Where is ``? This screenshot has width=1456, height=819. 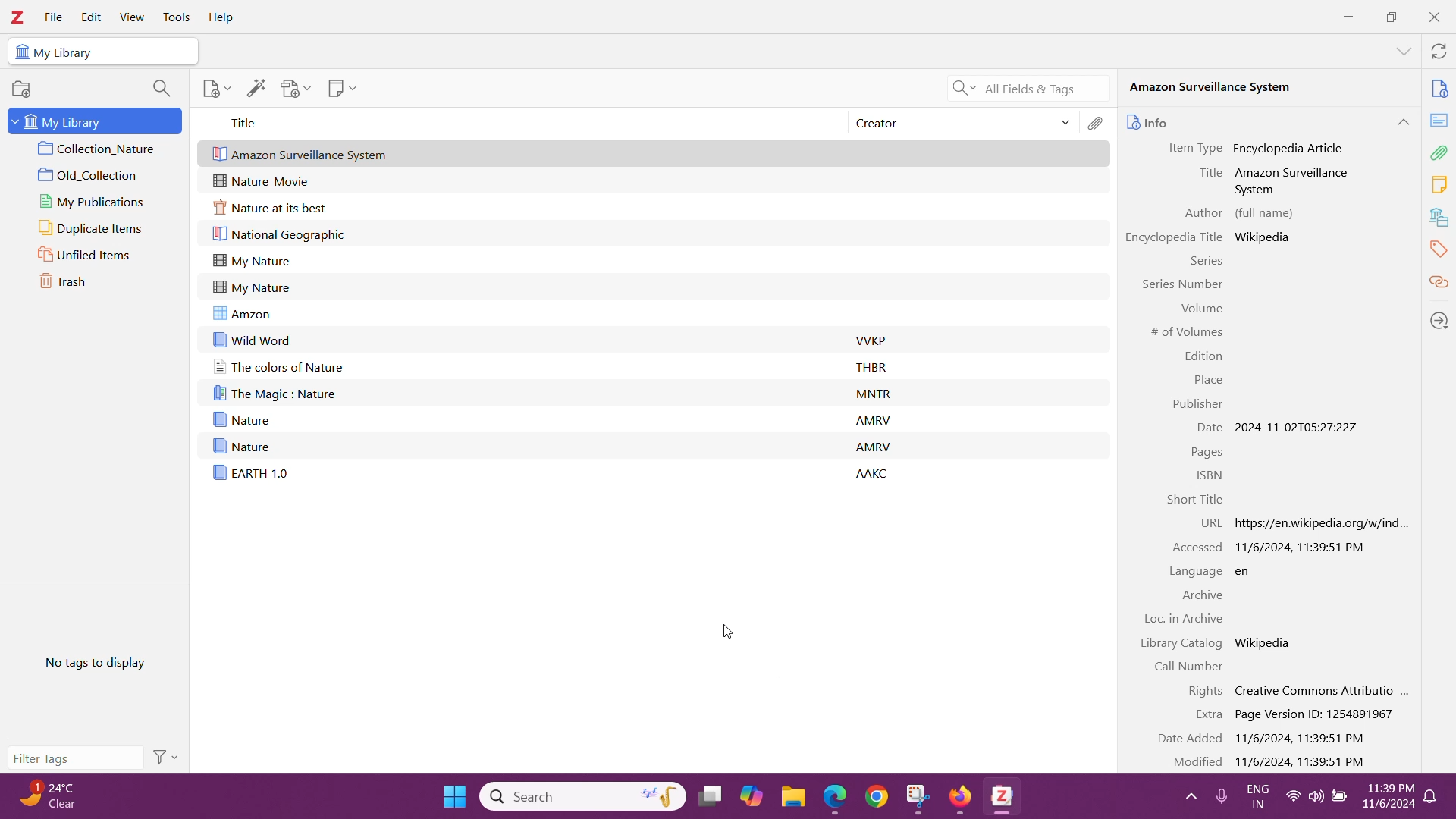
 is located at coordinates (1178, 284).